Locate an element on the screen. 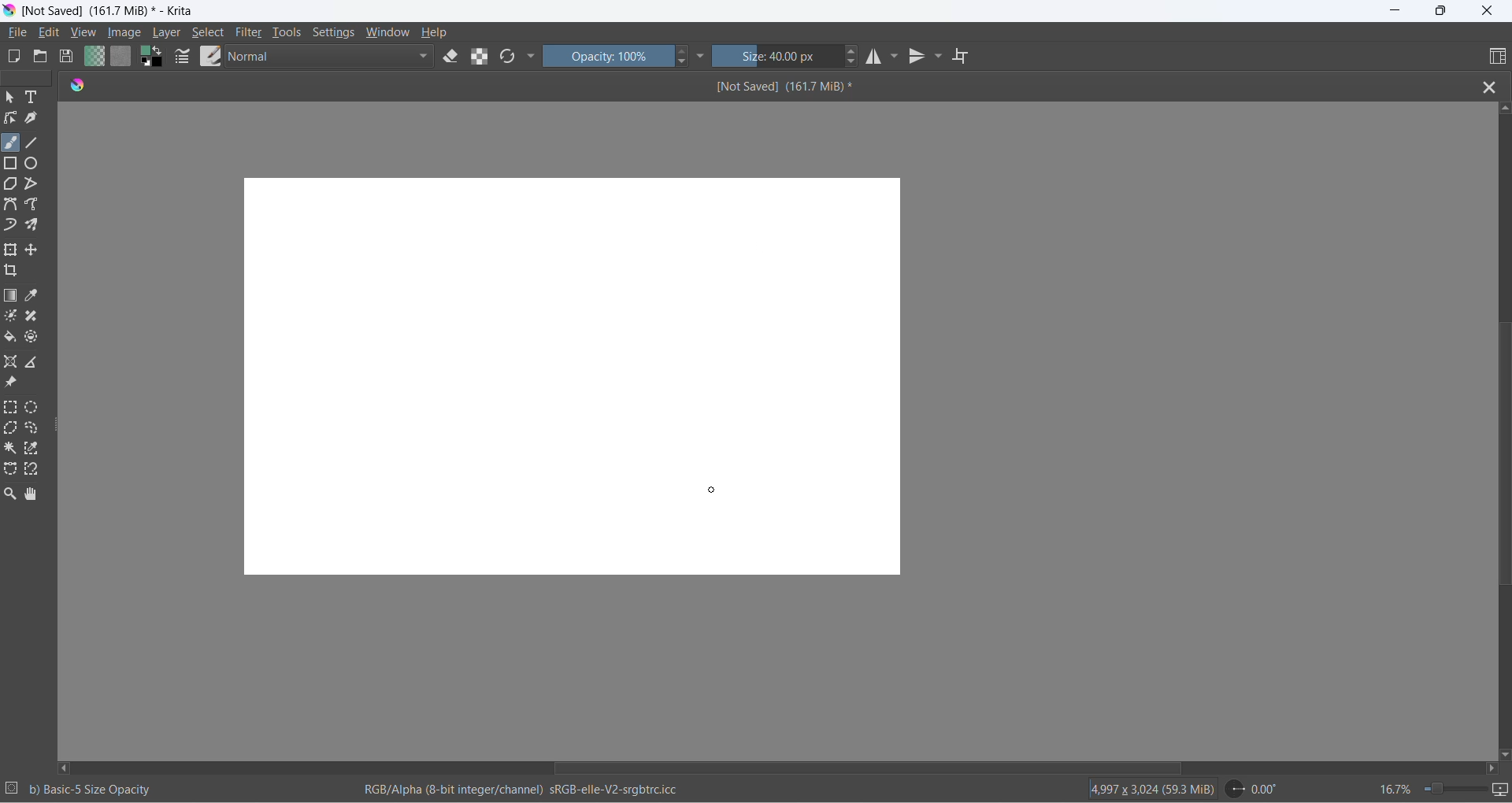 Image resolution: width=1512 pixels, height=803 pixels. vertical mirror setting dropdown button is located at coordinates (939, 58).